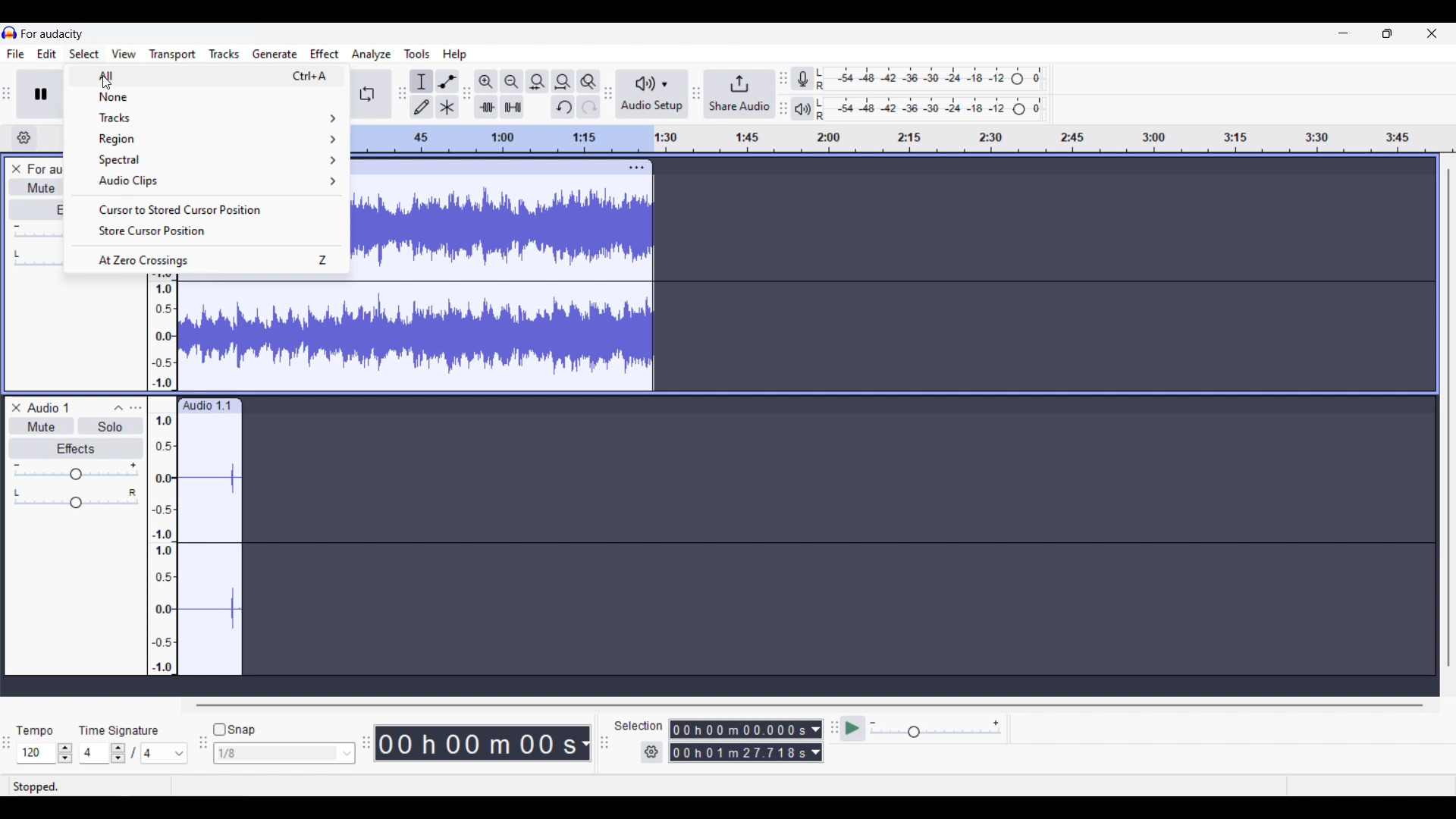 This screenshot has height=819, width=1456. Describe the element at coordinates (16, 168) in the screenshot. I see `Close track` at that location.